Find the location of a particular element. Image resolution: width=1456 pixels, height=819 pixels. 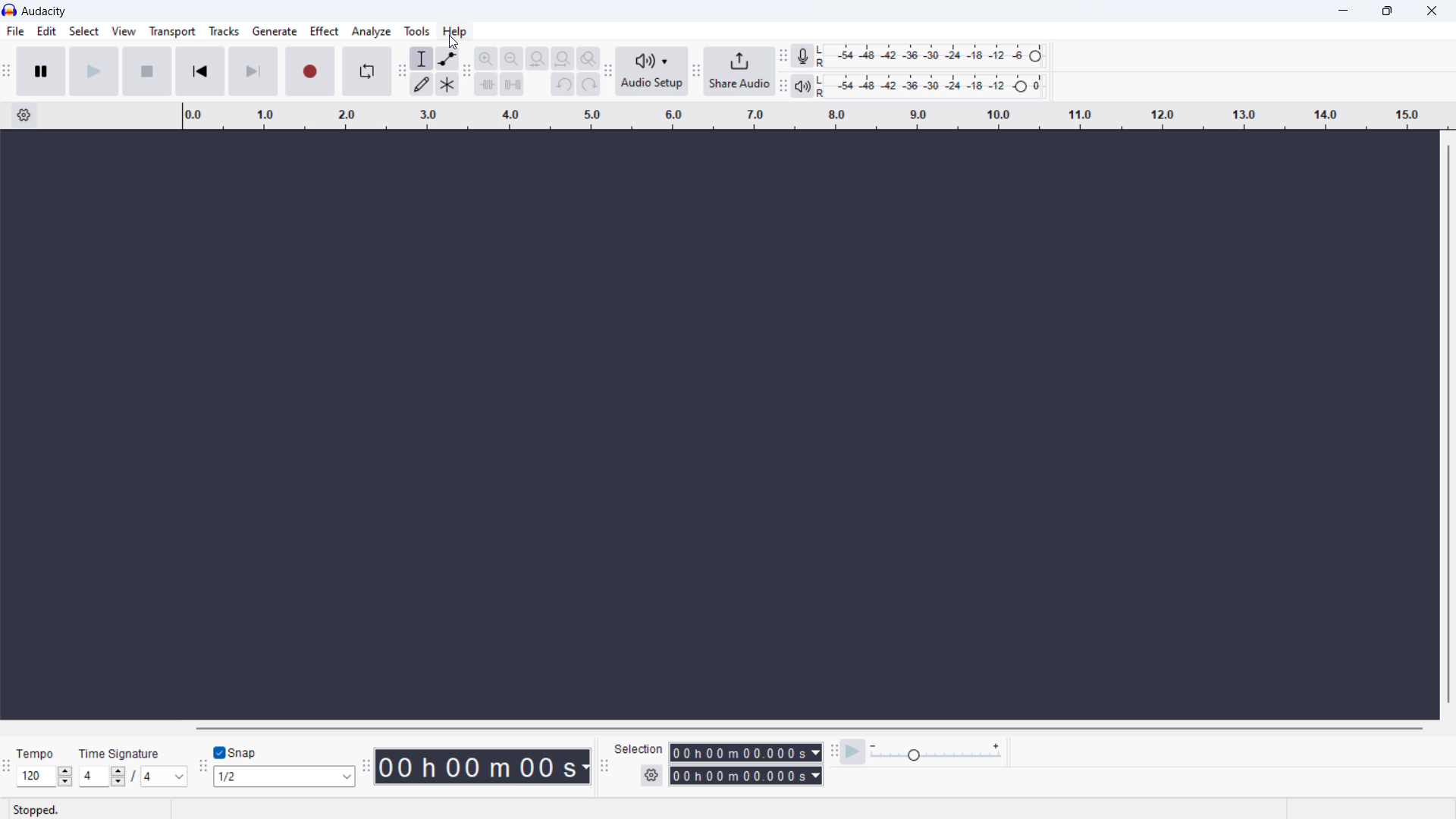

play at speed toolbar is located at coordinates (831, 751).